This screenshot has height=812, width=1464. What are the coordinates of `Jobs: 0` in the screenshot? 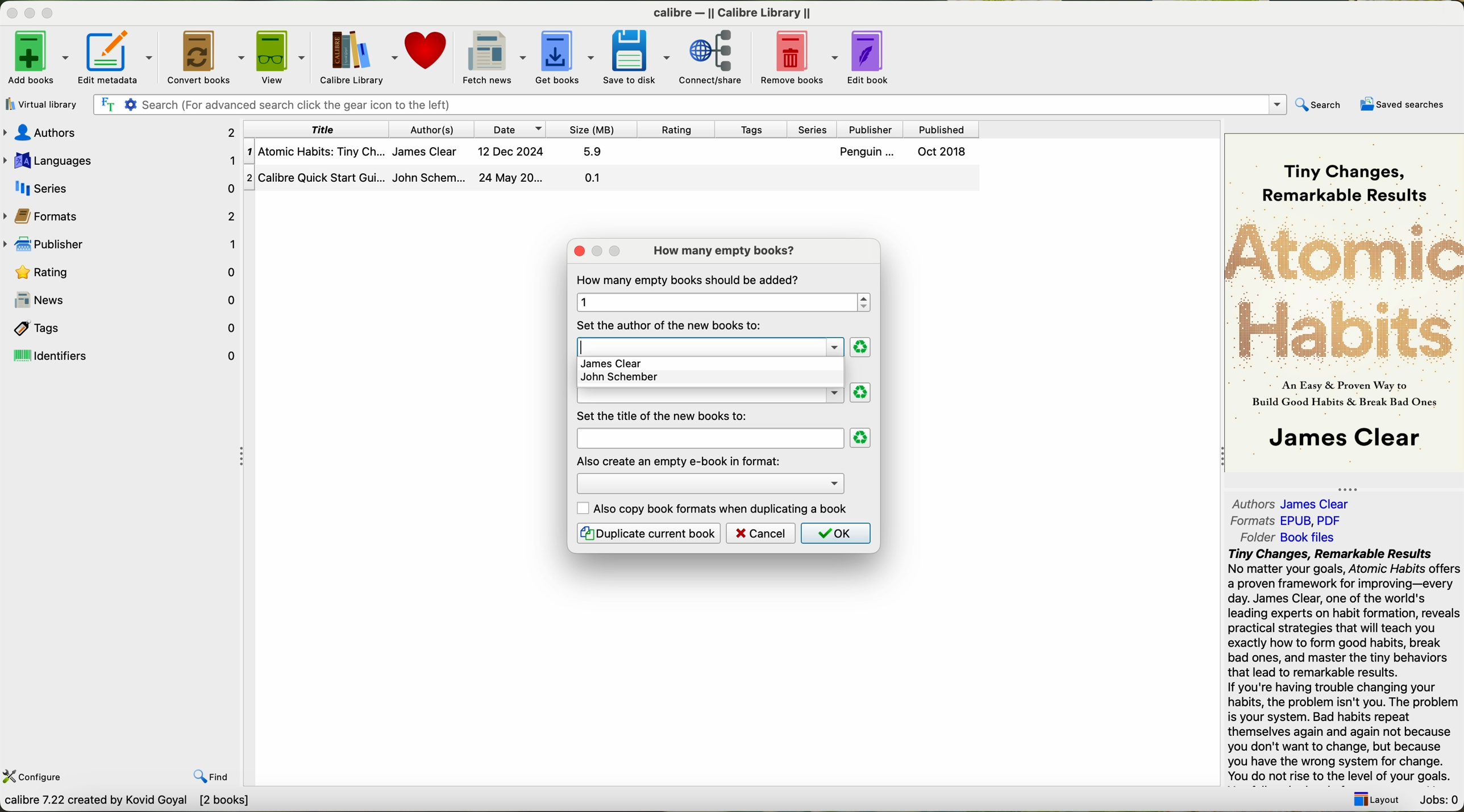 It's located at (1437, 801).